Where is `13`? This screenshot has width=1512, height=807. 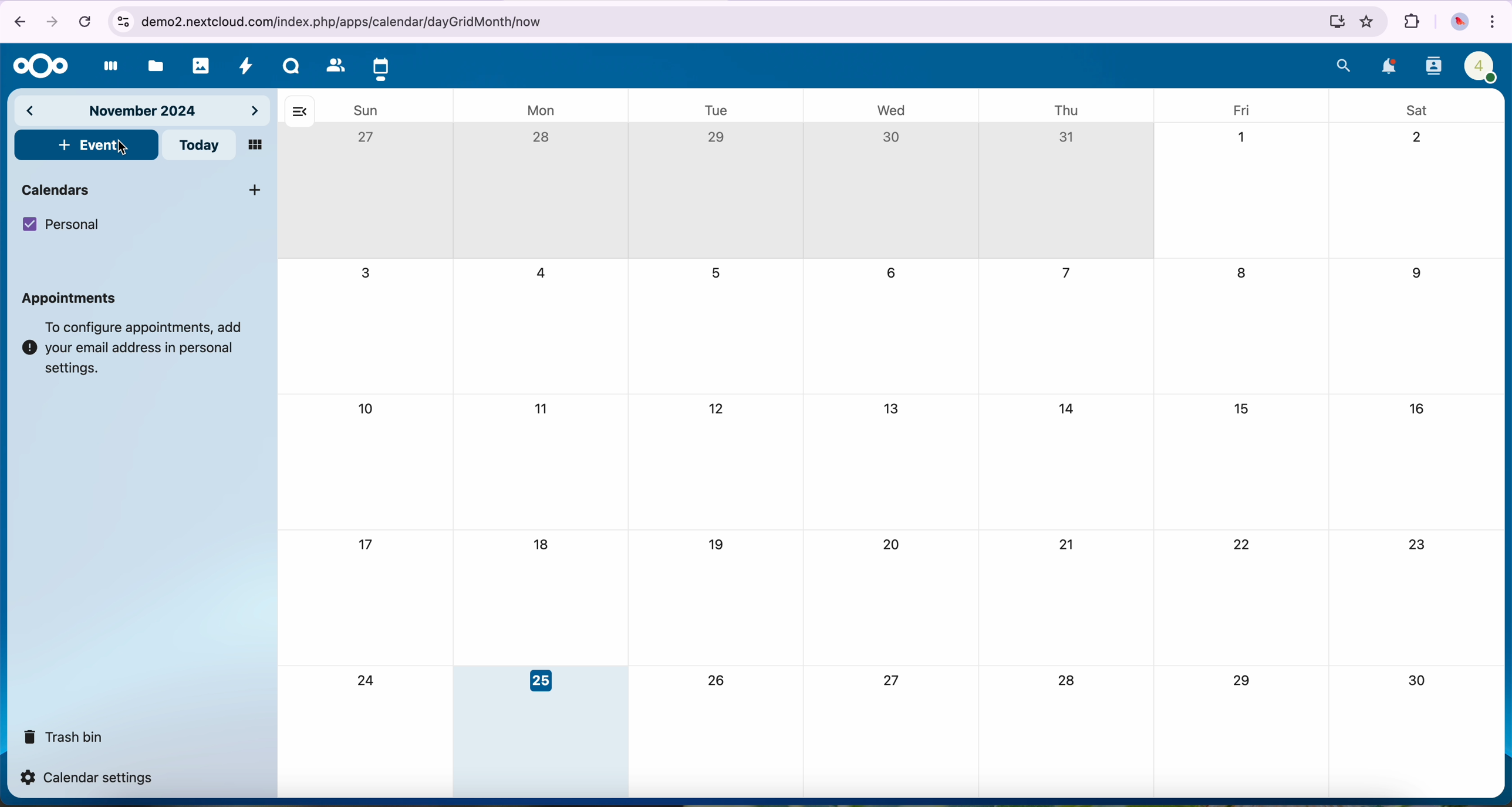 13 is located at coordinates (890, 407).